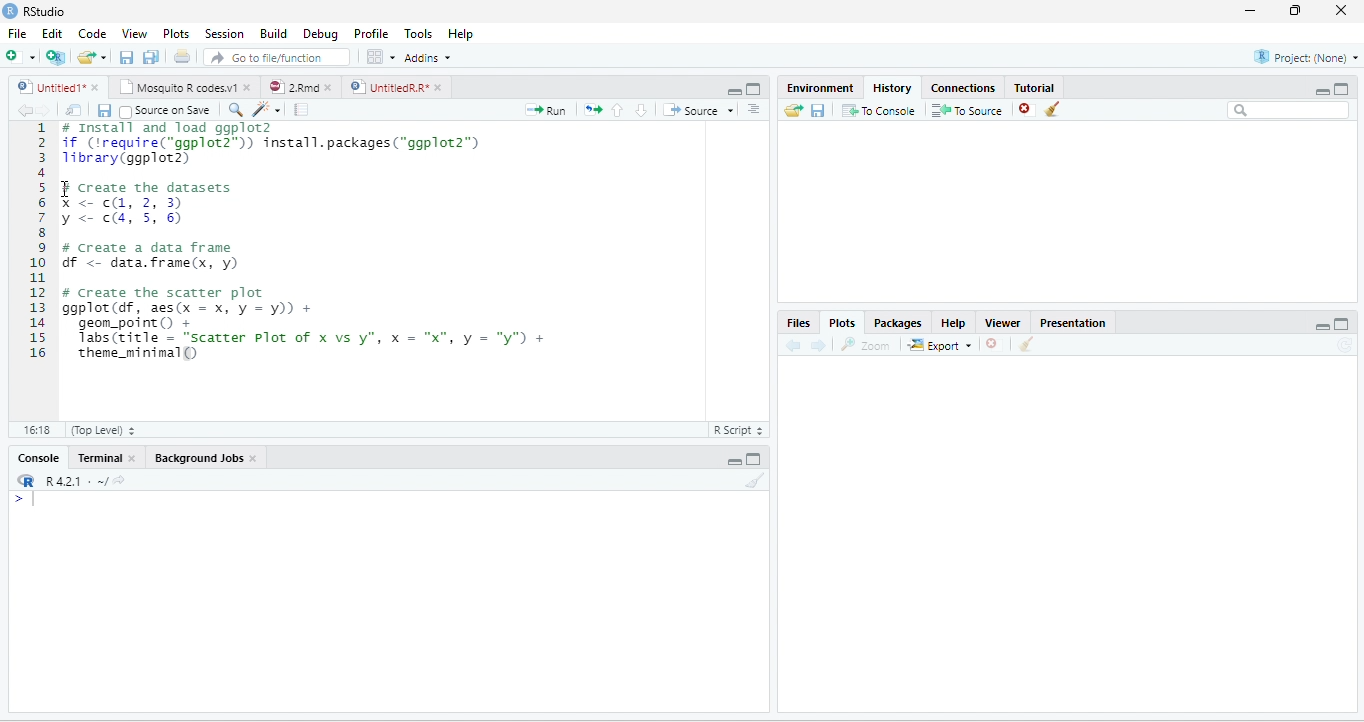 Image resolution: width=1364 pixels, height=722 pixels. I want to click on Session, so click(225, 33).